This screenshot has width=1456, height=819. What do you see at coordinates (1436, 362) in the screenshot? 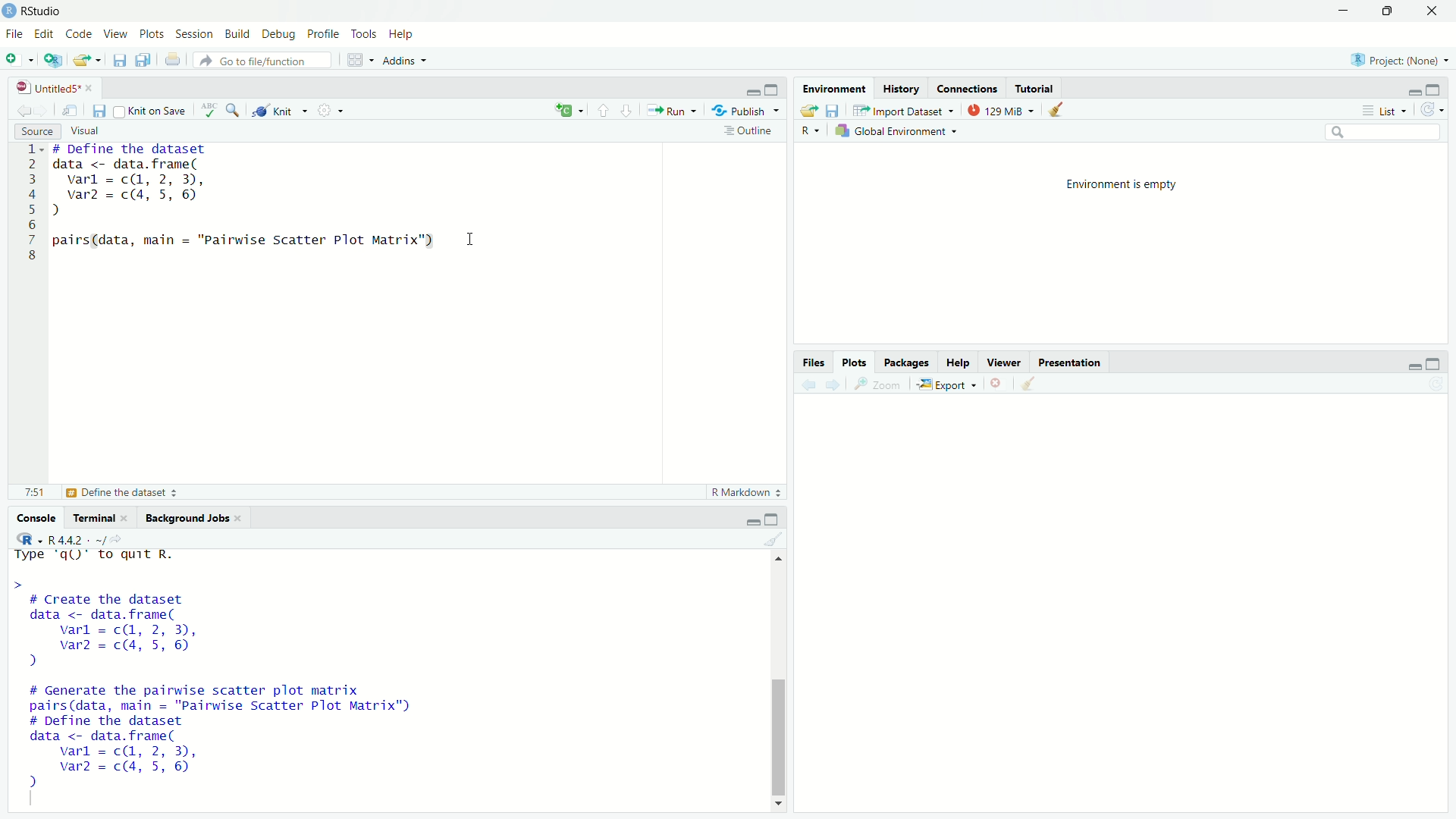
I see `Maximize` at bounding box center [1436, 362].